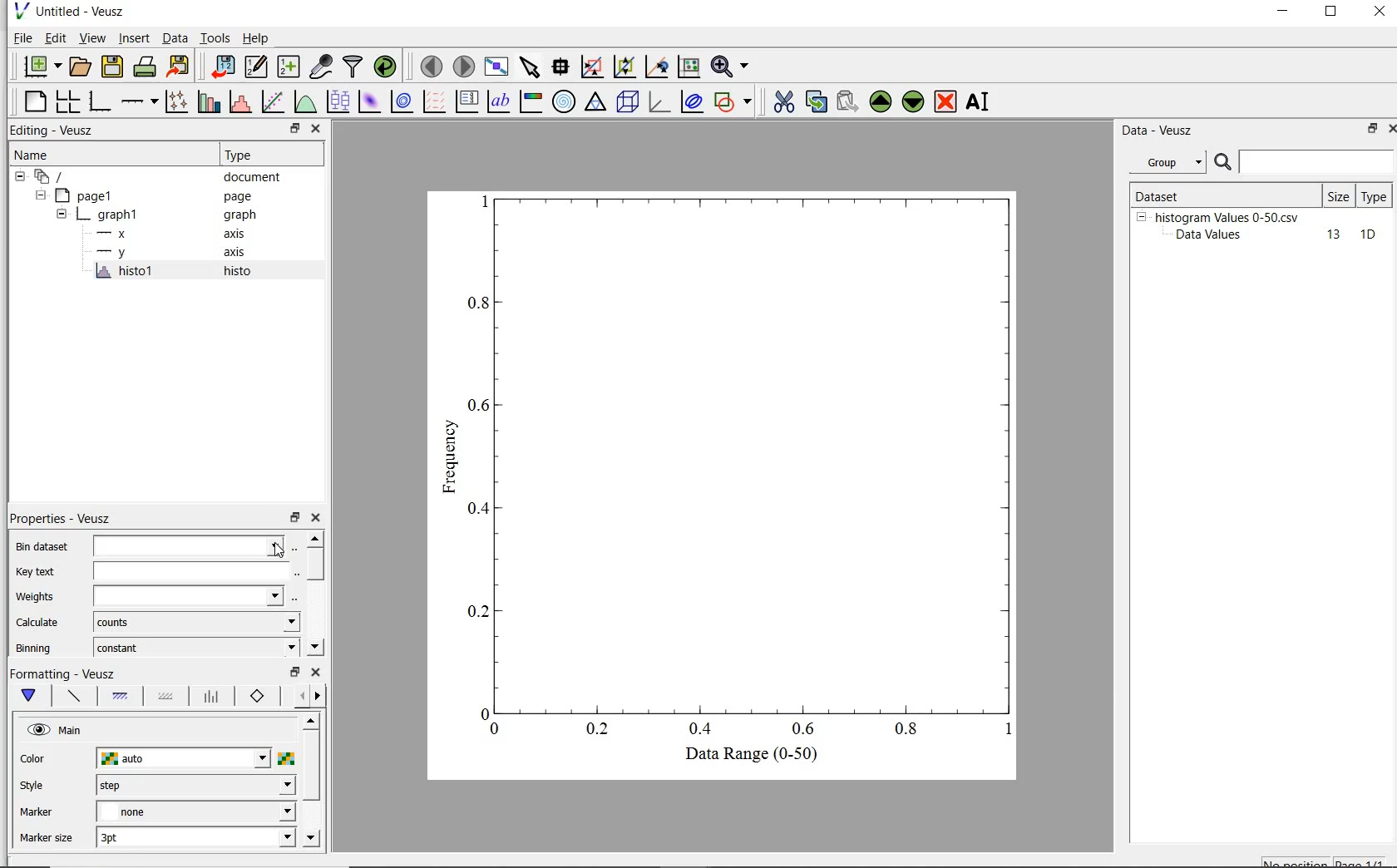 Image resolution: width=1397 pixels, height=868 pixels. What do you see at coordinates (431, 67) in the screenshot?
I see `move to previous page` at bounding box center [431, 67].